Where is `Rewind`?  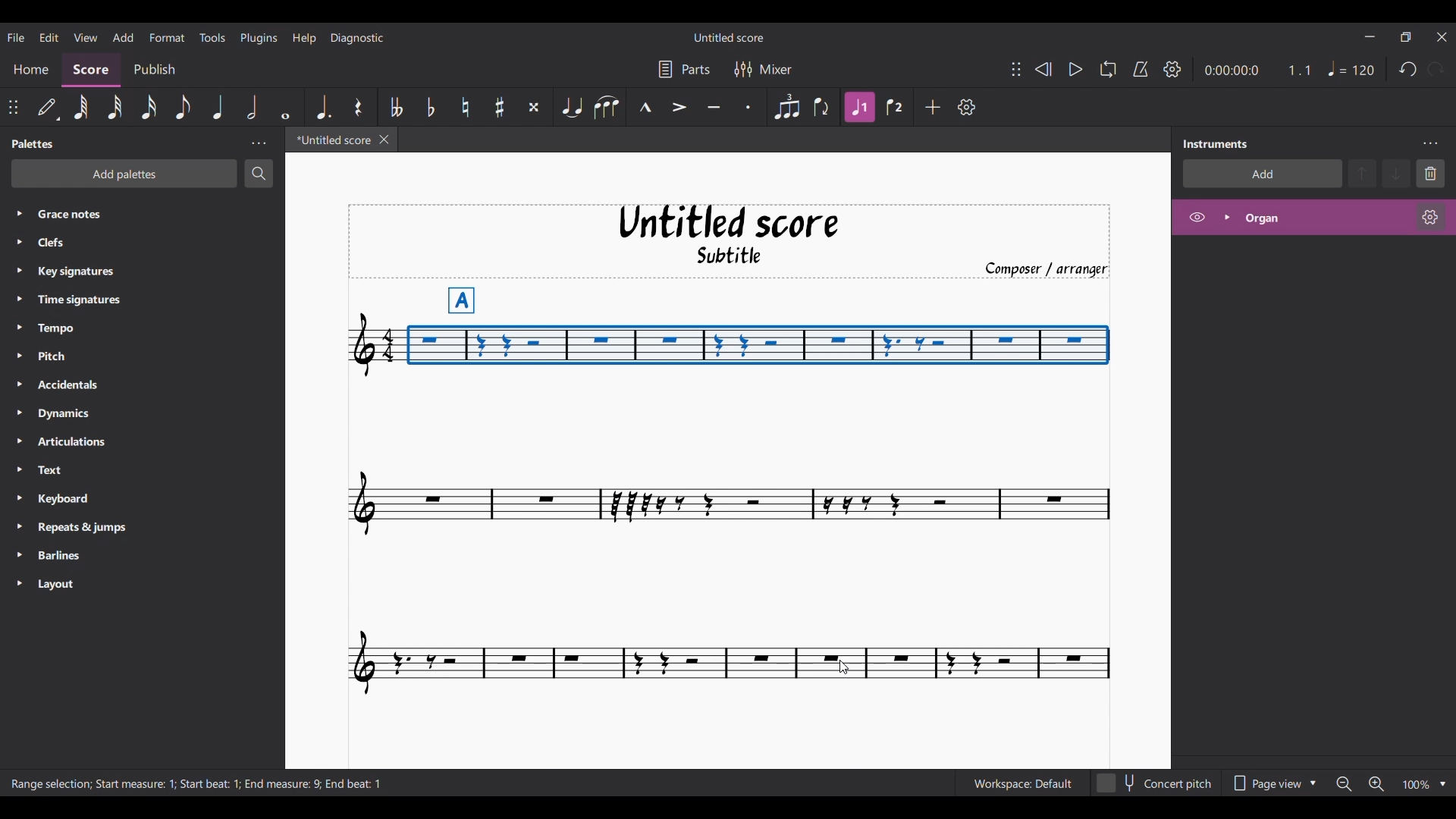 Rewind is located at coordinates (1043, 69).